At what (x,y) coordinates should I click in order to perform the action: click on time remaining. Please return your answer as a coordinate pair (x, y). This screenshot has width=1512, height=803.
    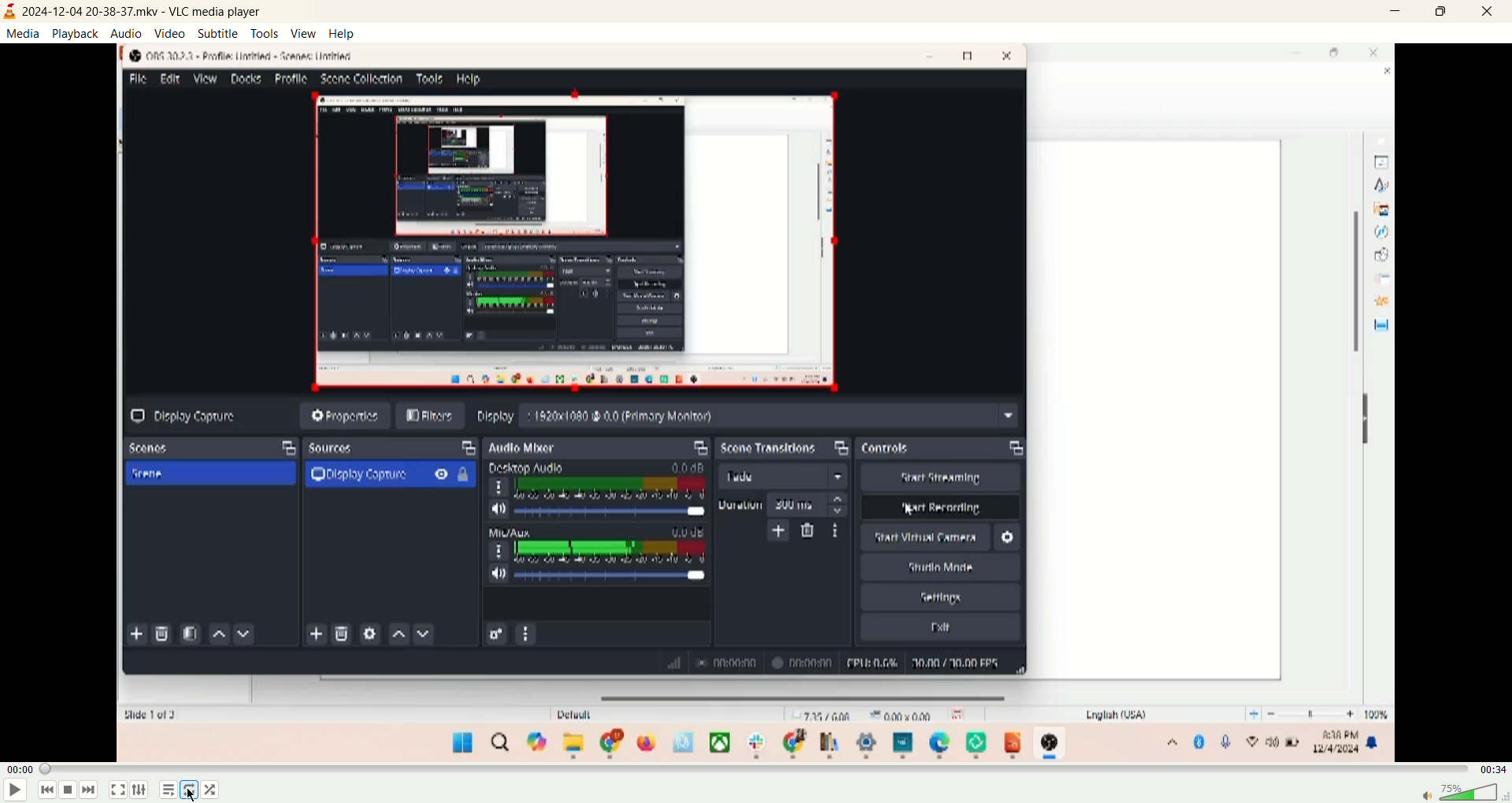
    Looking at the image, I should click on (1493, 770).